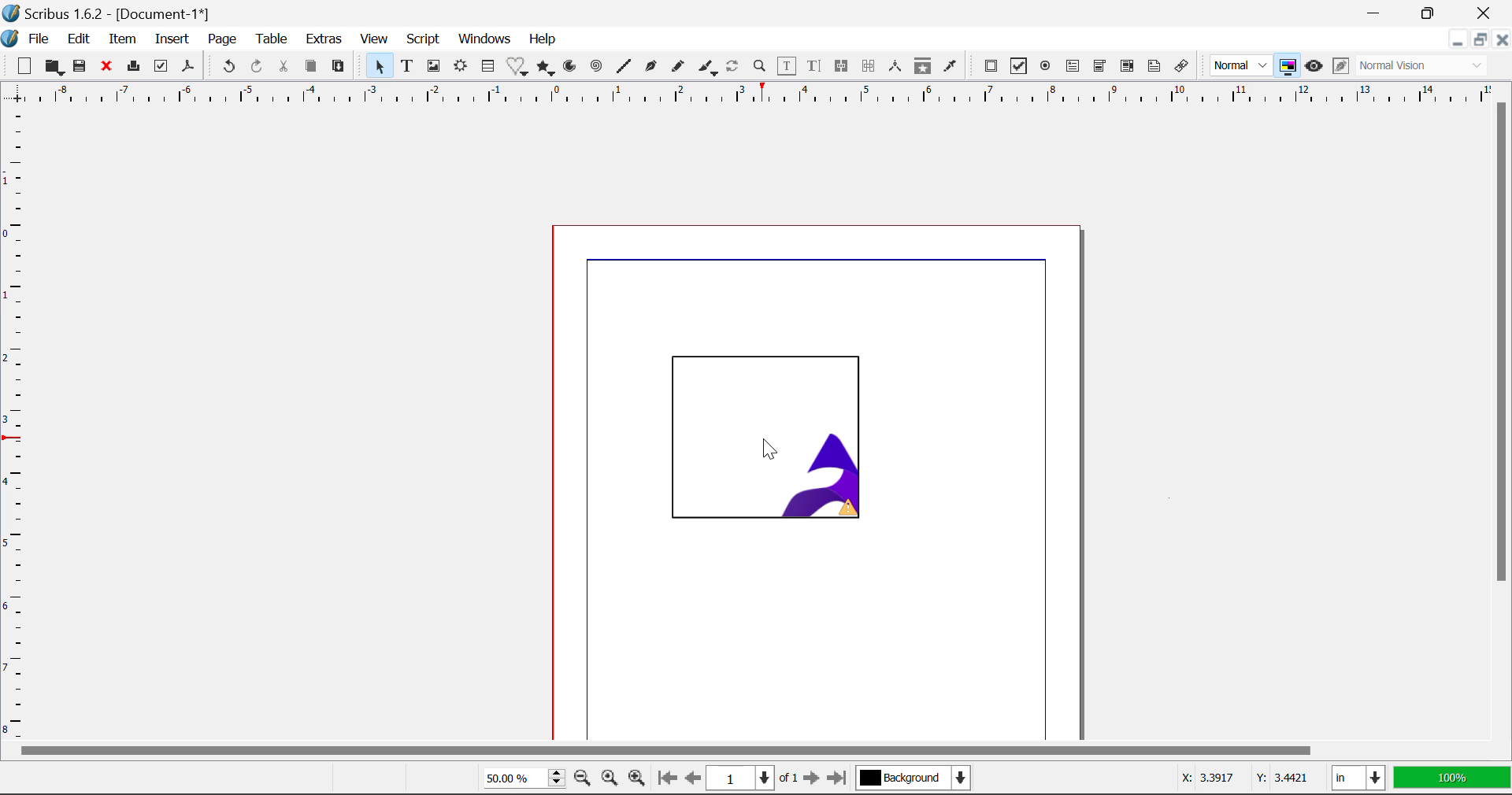 The image size is (1512, 795). Describe the element at coordinates (38, 39) in the screenshot. I see `File` at that location.